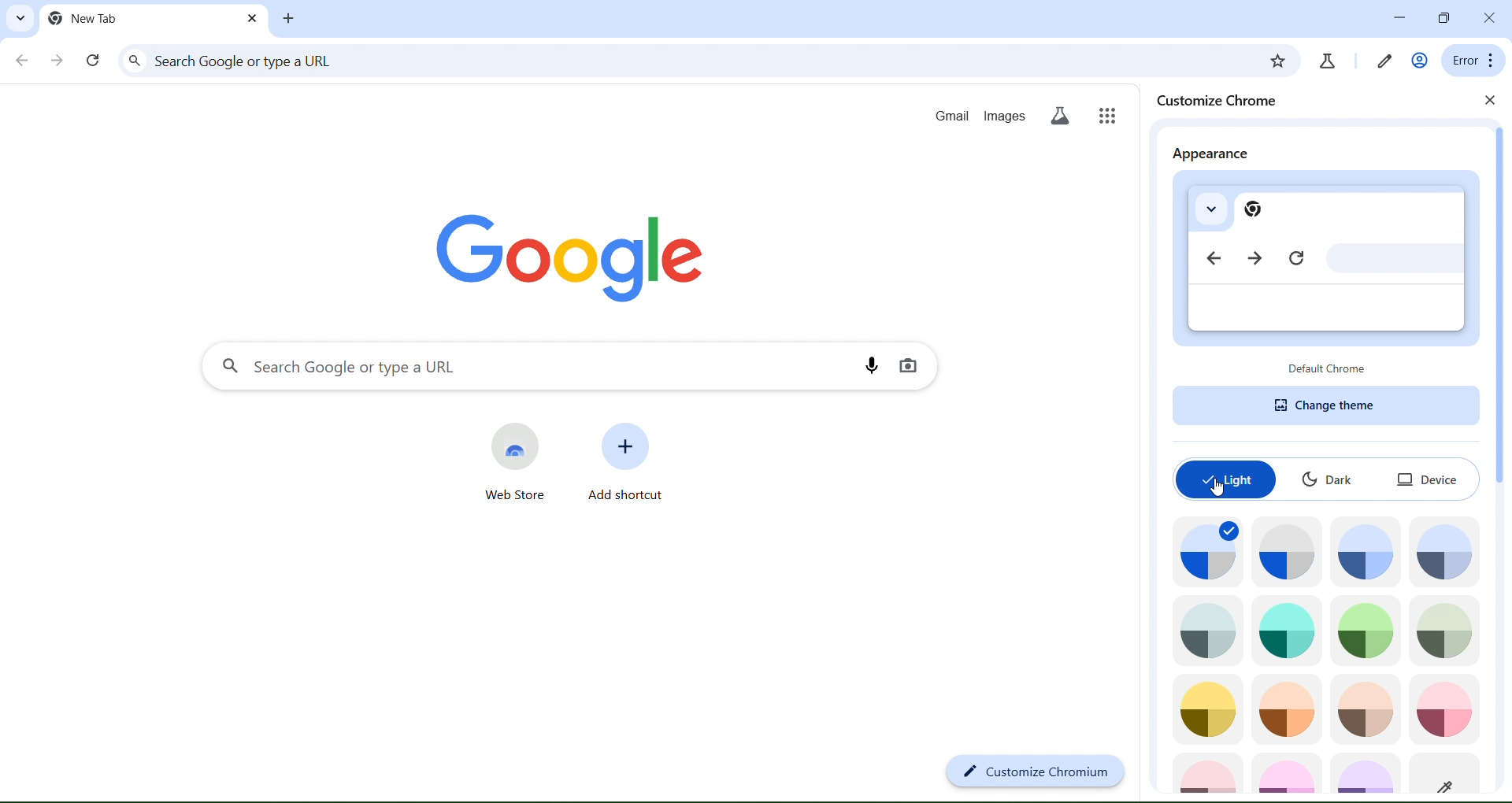 The height and width of the screenshot is (803, 1512). I want to click on search labs, so click(1381, 59).